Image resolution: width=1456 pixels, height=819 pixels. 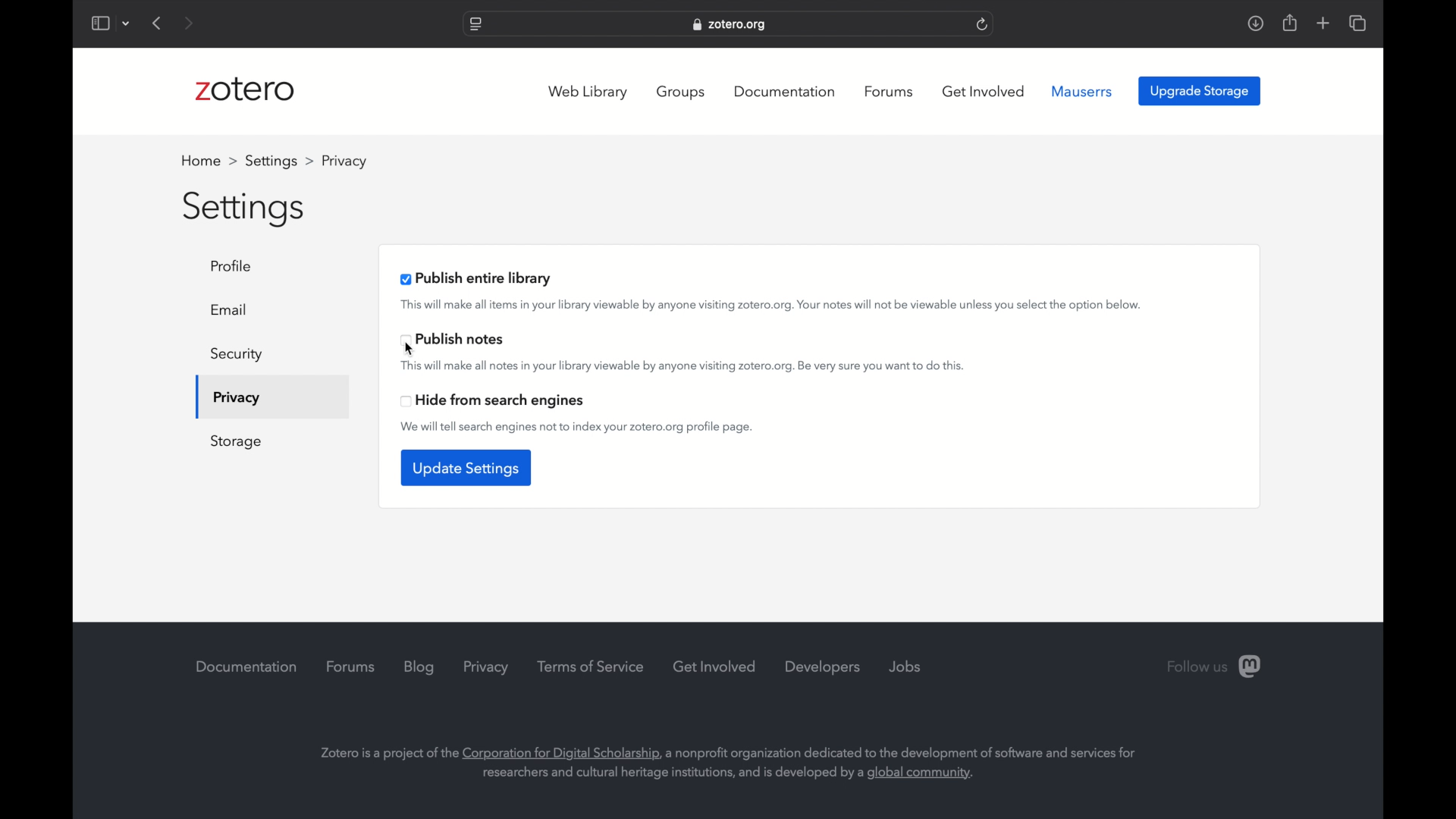 I want to click on upgrade storage, so click(x=1200, y=92).